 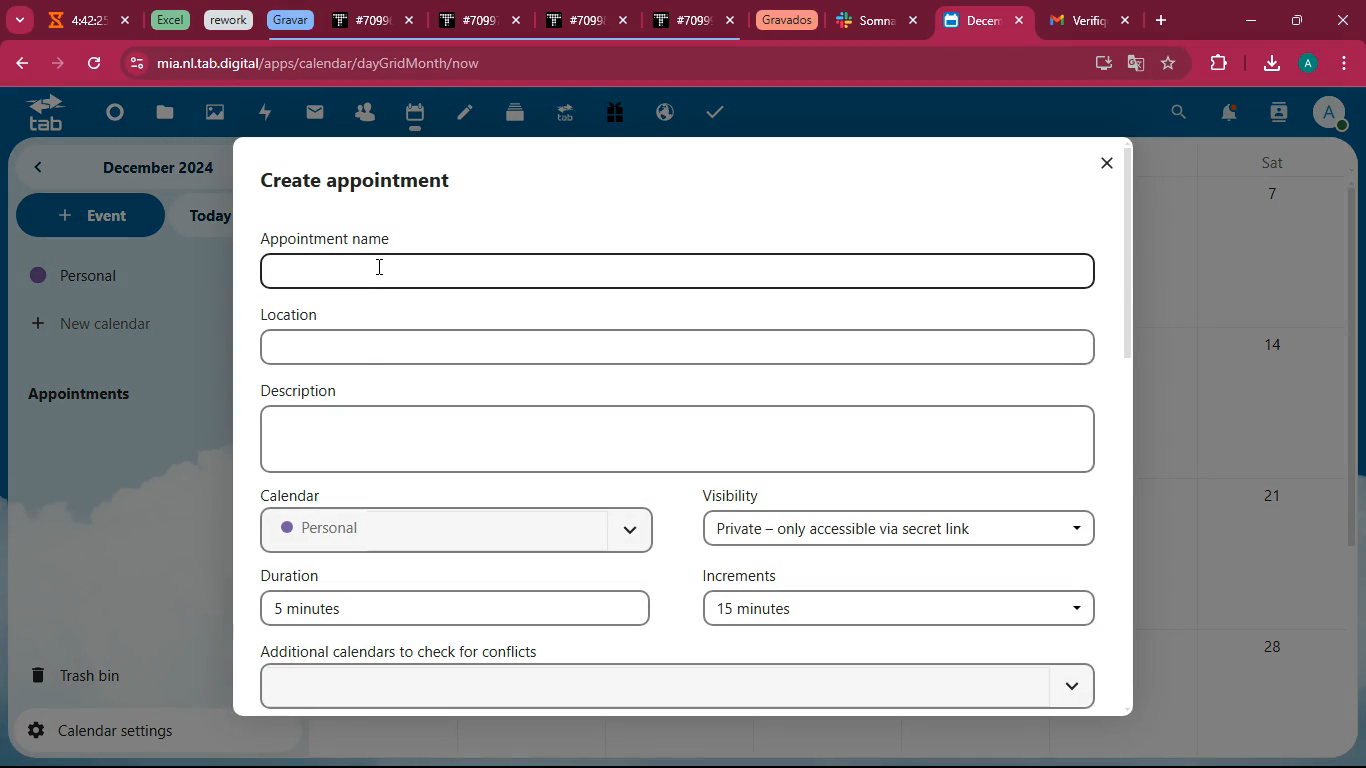 What do you see at coordinates (972, 26) in the screenshot?
I see `current tab` at bounding box center [972, 26].